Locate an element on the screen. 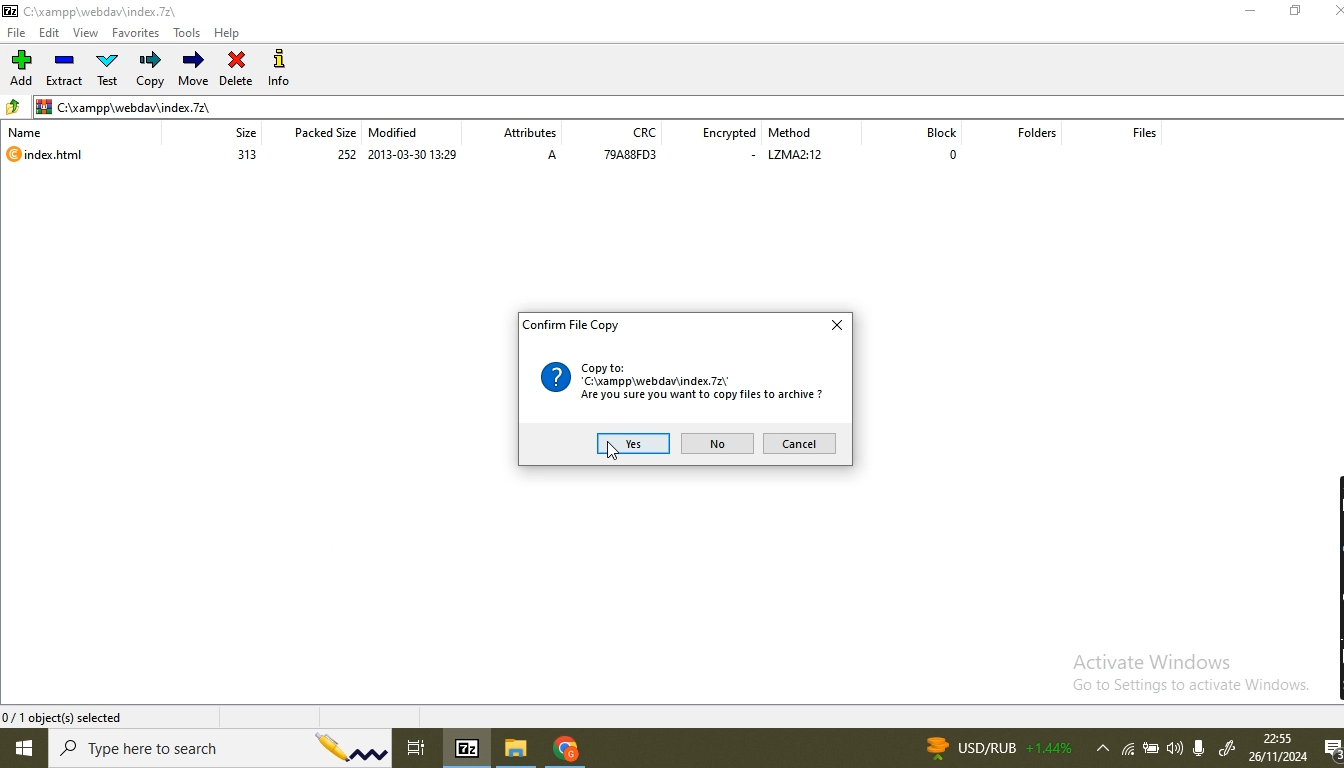  task view is located at coordinates (421, 745).